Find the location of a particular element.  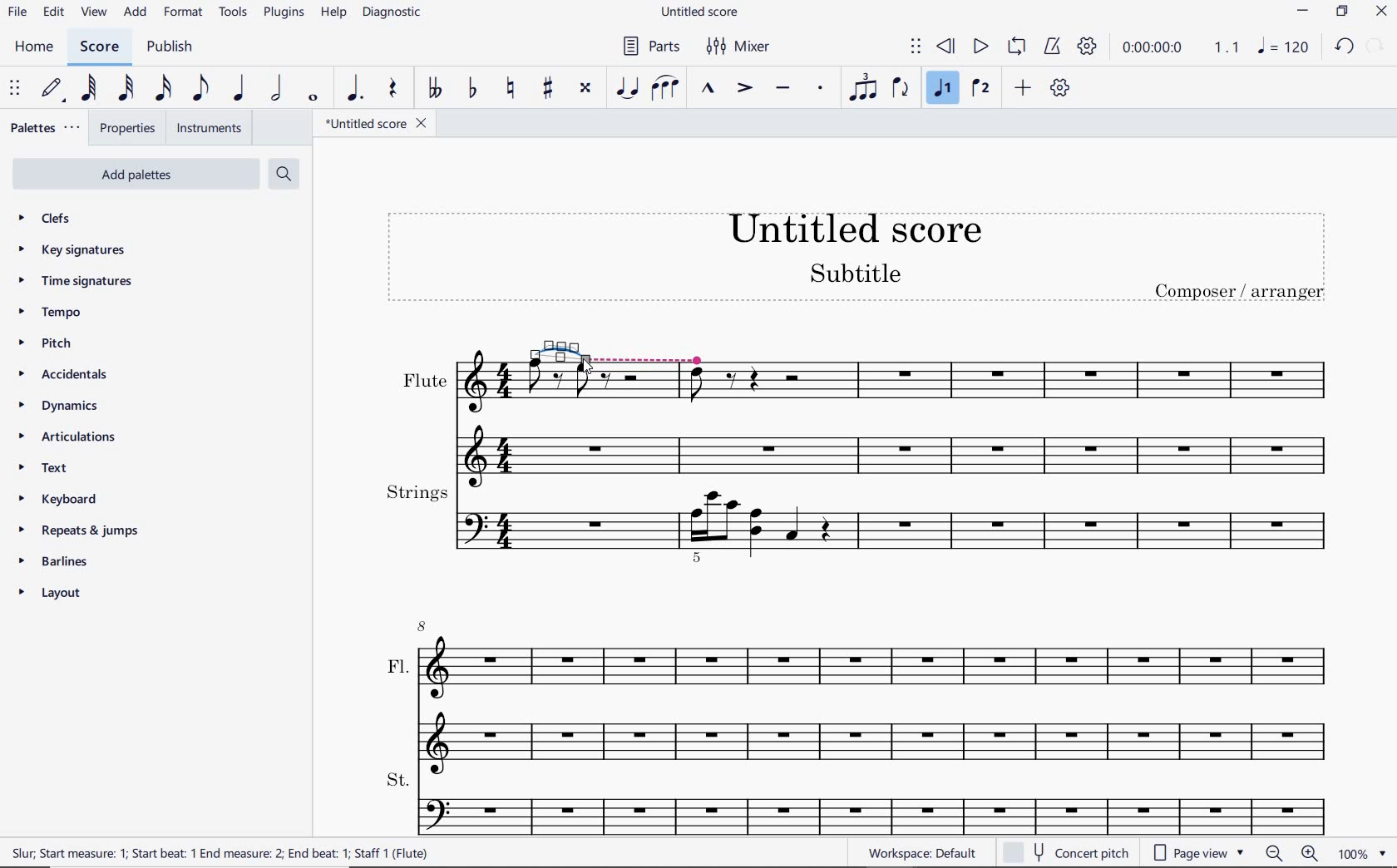

FLIP DIRECTION is located at coordinates (903, 92).